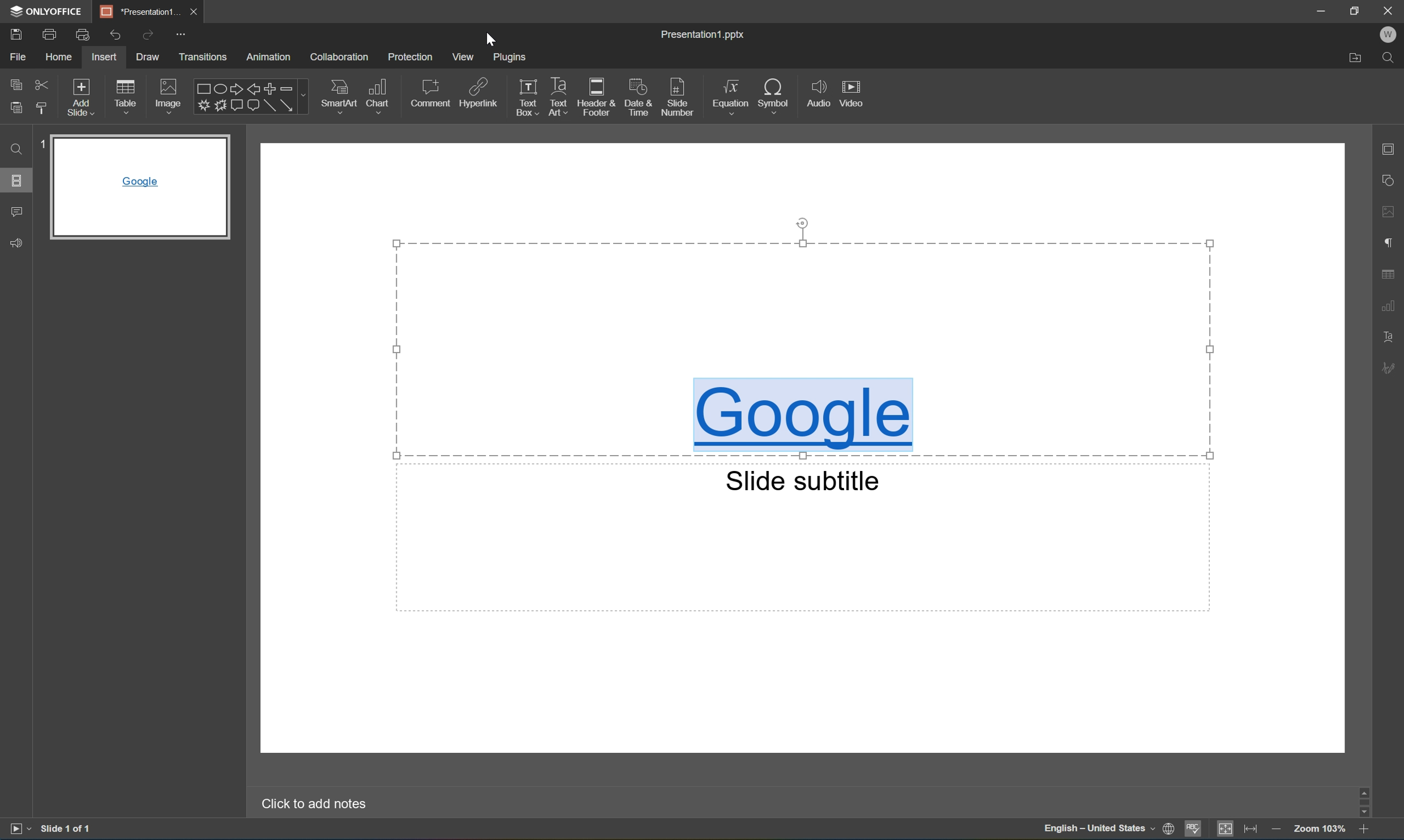 This screenshot has height=840, width=1404. Describe the element at coordinates (1390, 57) in the screenshot. I see `Find` at that location.